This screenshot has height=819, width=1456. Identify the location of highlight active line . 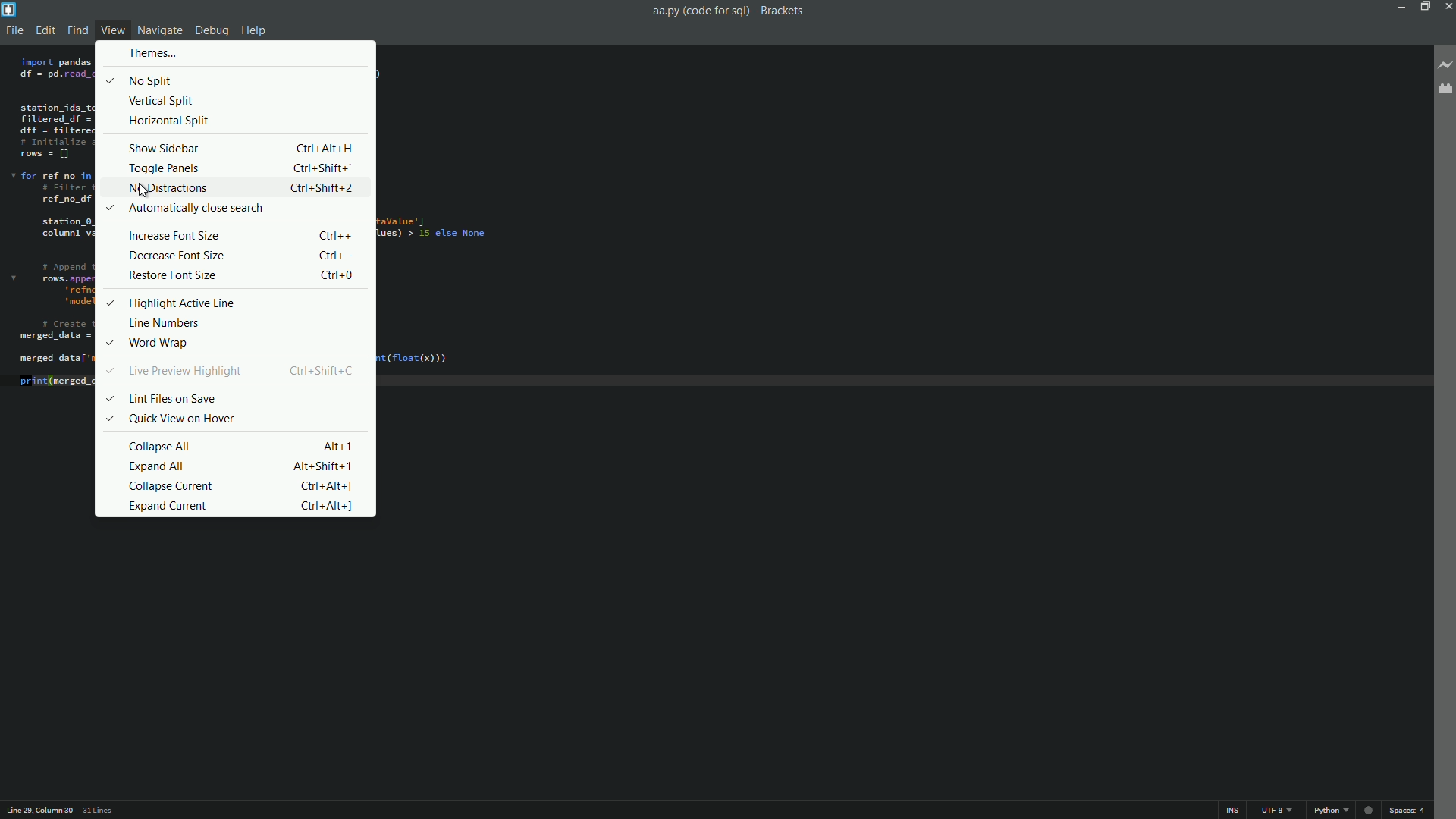
(243, 302).